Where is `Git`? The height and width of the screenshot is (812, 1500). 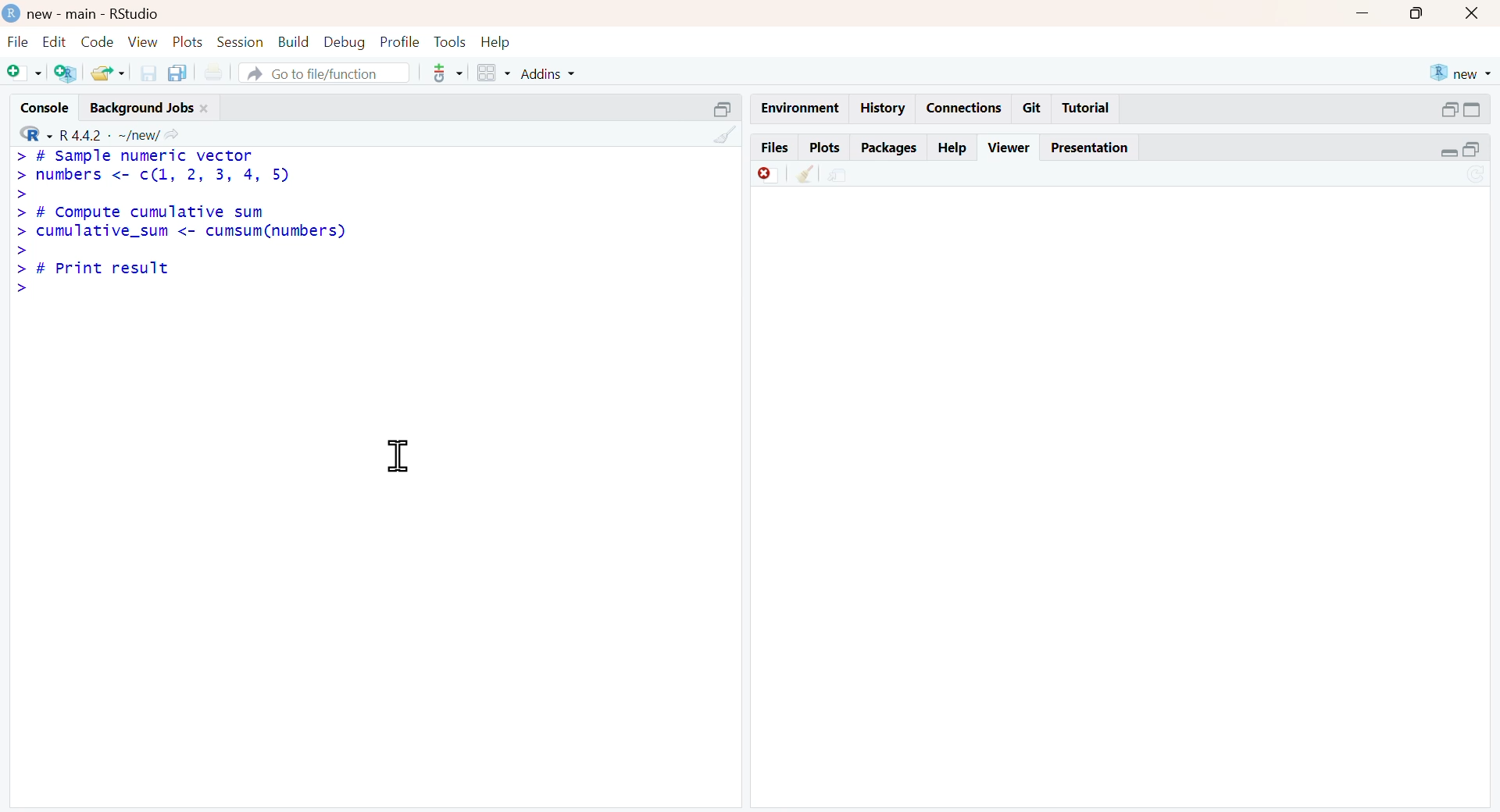 Git is located at coordinates (1031, 109).